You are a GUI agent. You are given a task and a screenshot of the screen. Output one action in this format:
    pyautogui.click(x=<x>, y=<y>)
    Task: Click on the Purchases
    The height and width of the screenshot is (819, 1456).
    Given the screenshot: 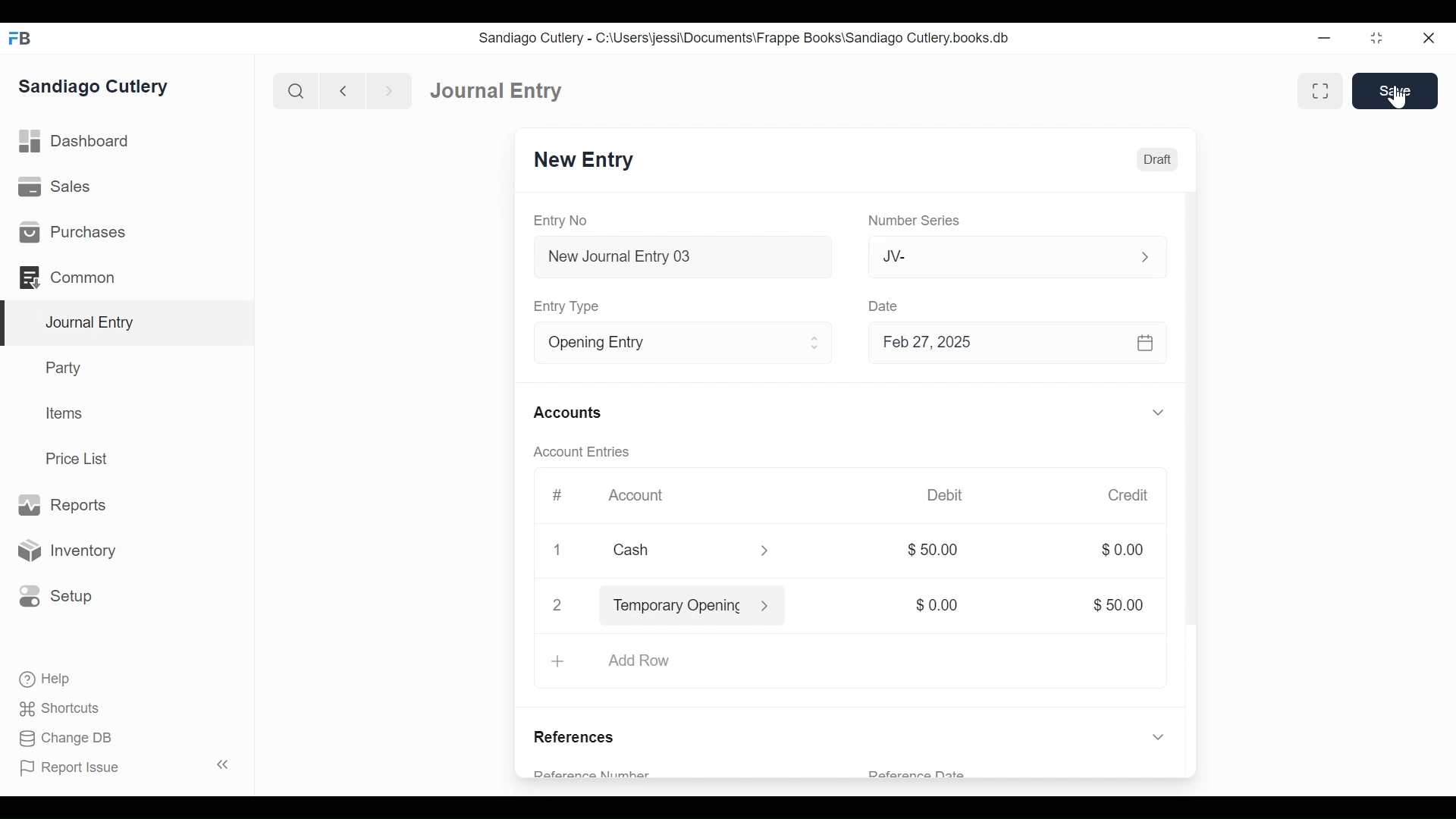 What is the action you would take?
    pyautogui.click(x=75, y=232)
    